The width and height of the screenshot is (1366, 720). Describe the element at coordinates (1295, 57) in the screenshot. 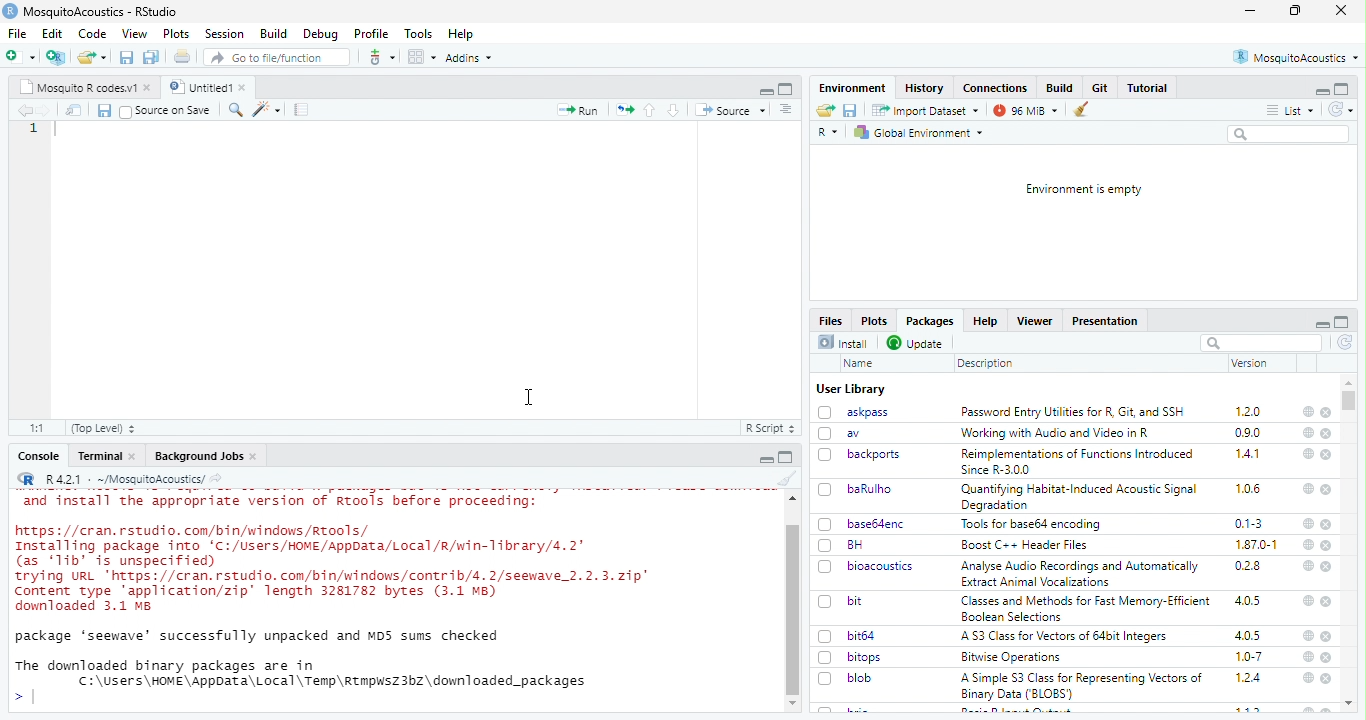

I see `MosquitoAcoustics` at that location.